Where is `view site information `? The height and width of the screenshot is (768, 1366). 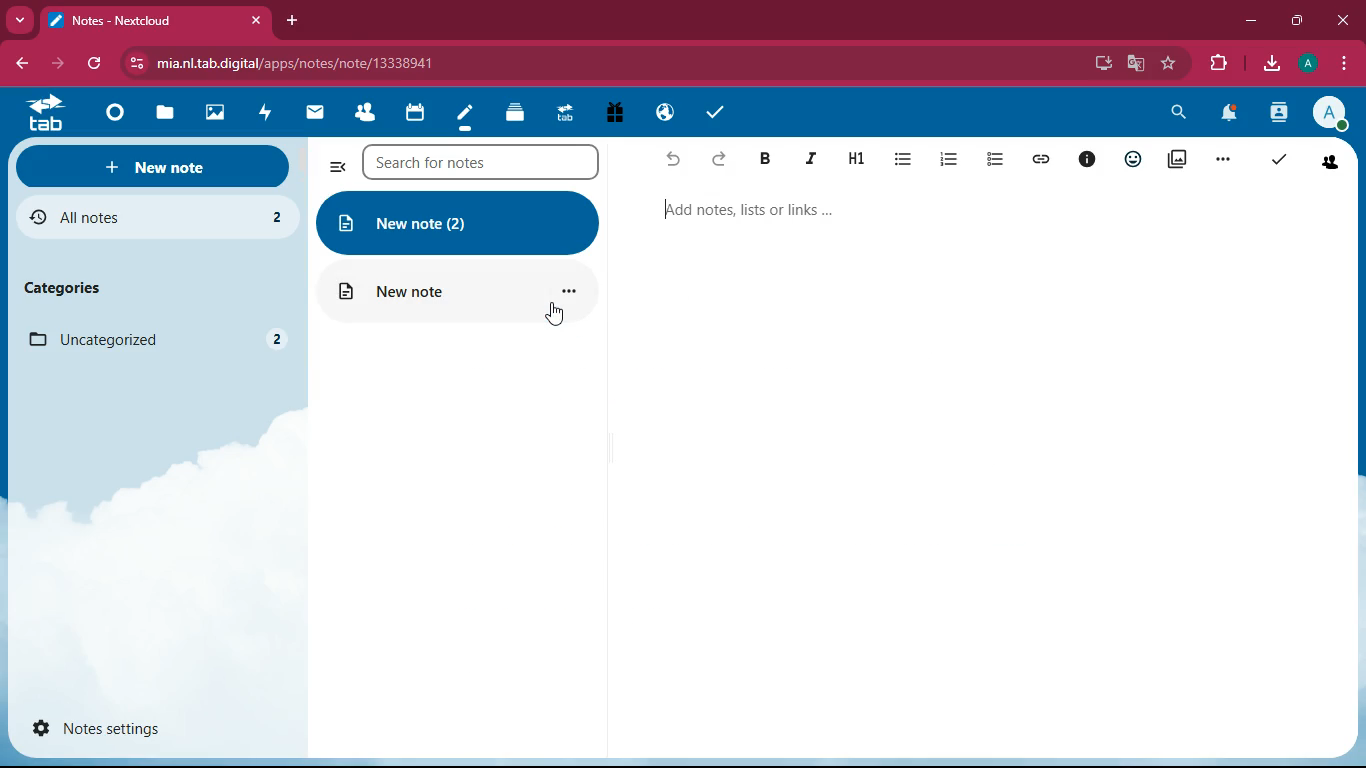 view site information  is located at coordinates (138, 65).